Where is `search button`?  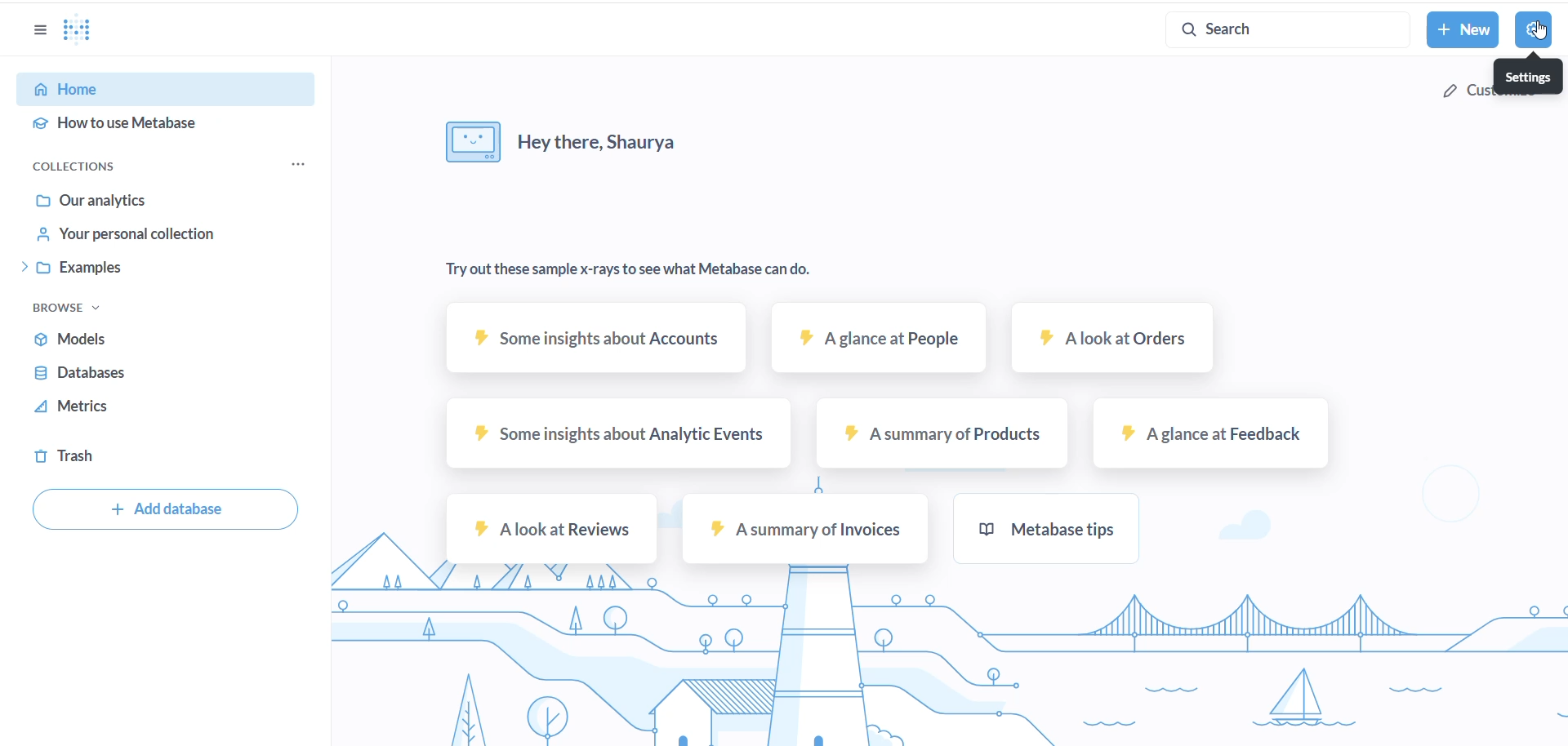 search button is located at coordinates (1278, 28).